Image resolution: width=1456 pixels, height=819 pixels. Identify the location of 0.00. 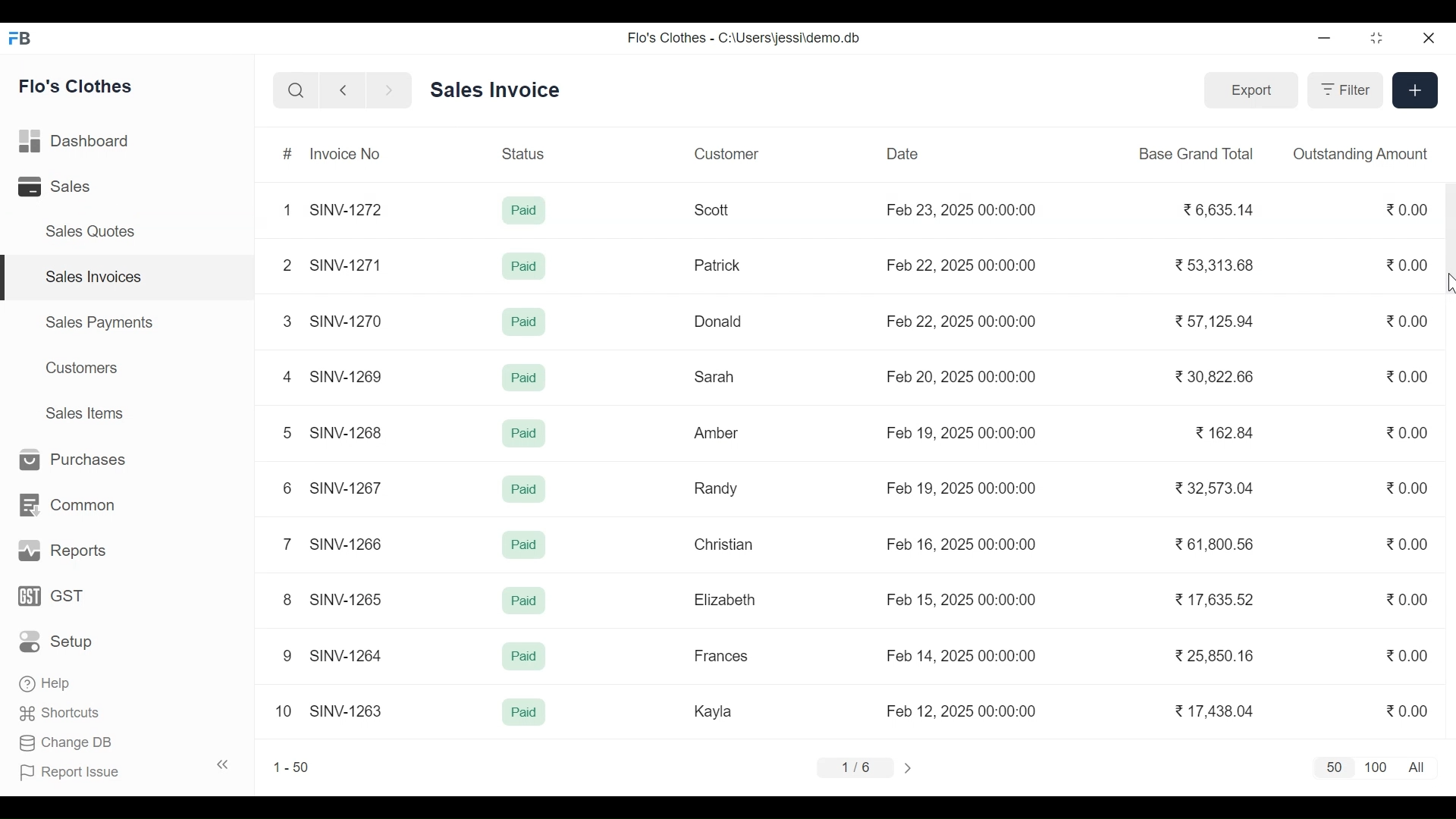
(1408, 488).